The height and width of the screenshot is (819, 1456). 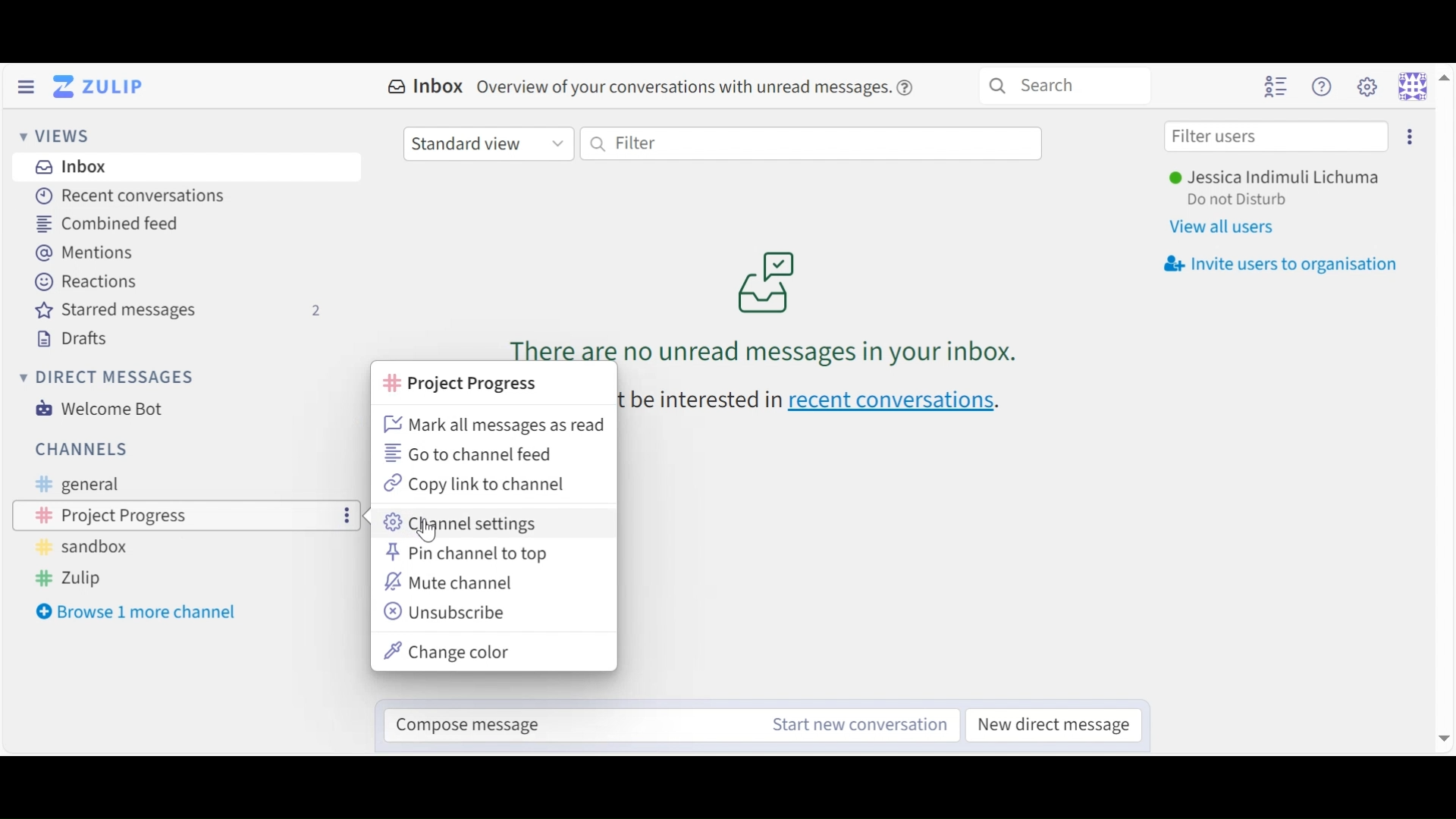 I want to click on Views, so click(x=58, y=137).